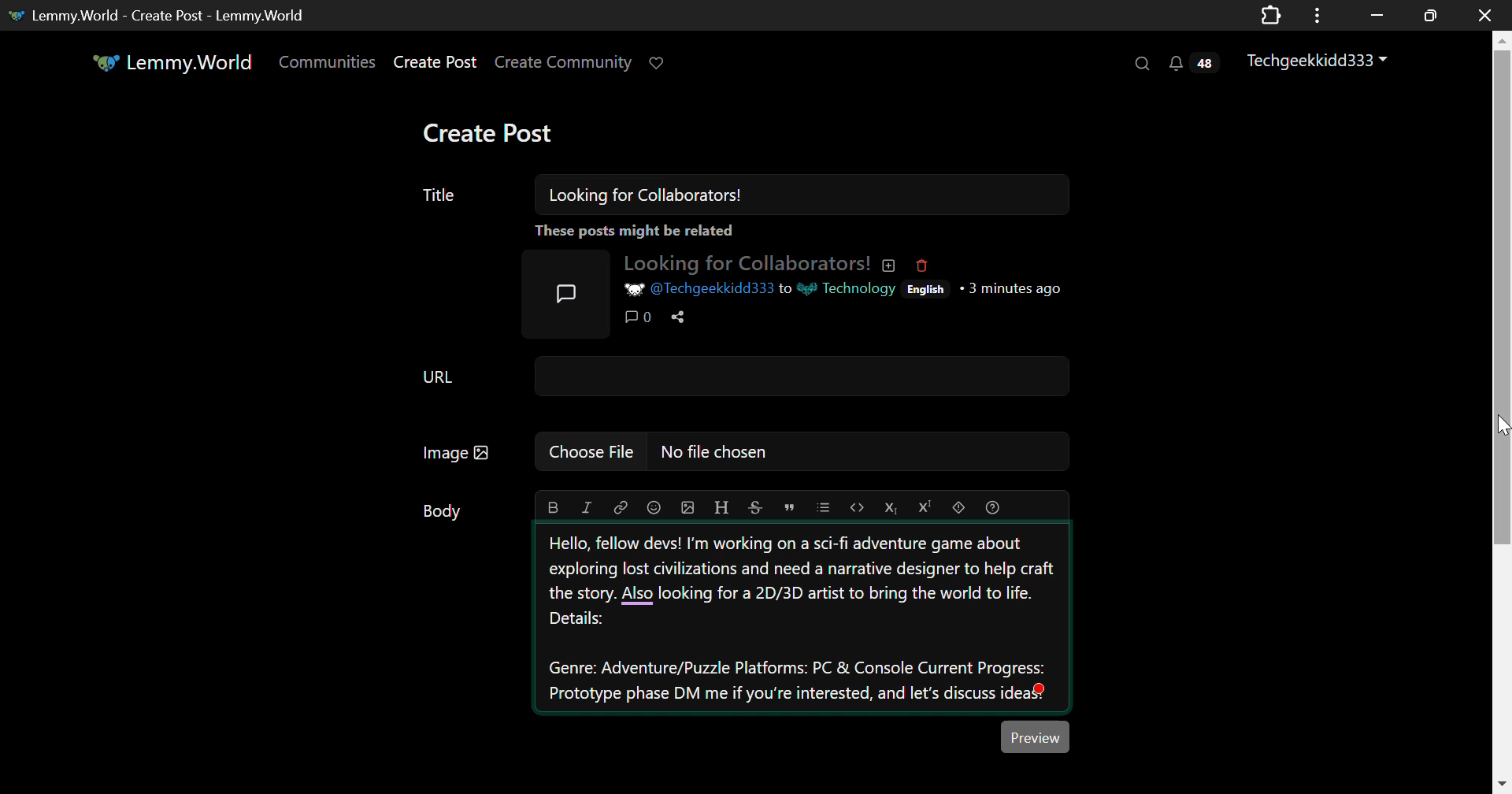 The image size is (1512, 794). Describe the element at coordinates (925, 506) in the screenshot. I see `superscript` at that location.